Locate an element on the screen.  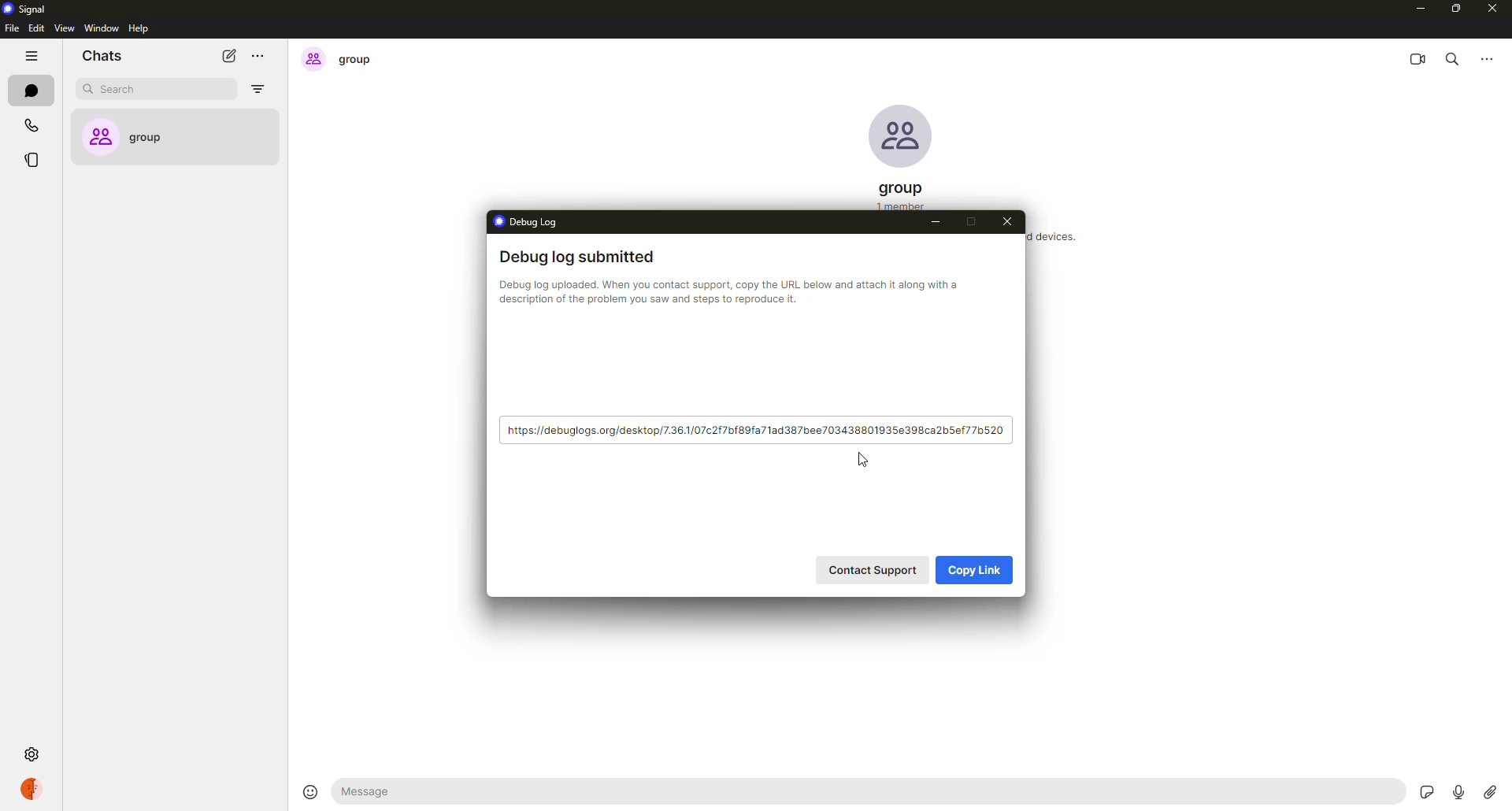
group is located at coordinates (167, 137).